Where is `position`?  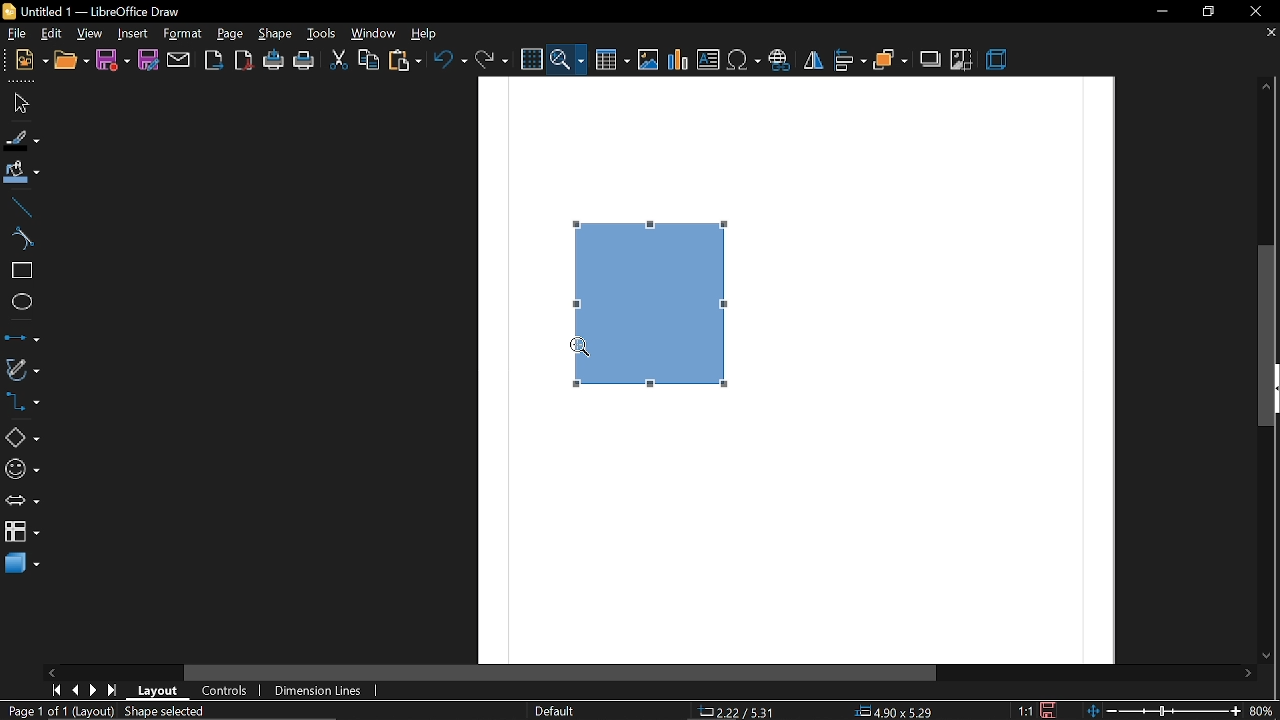
position is located at coordinates (894, 712).